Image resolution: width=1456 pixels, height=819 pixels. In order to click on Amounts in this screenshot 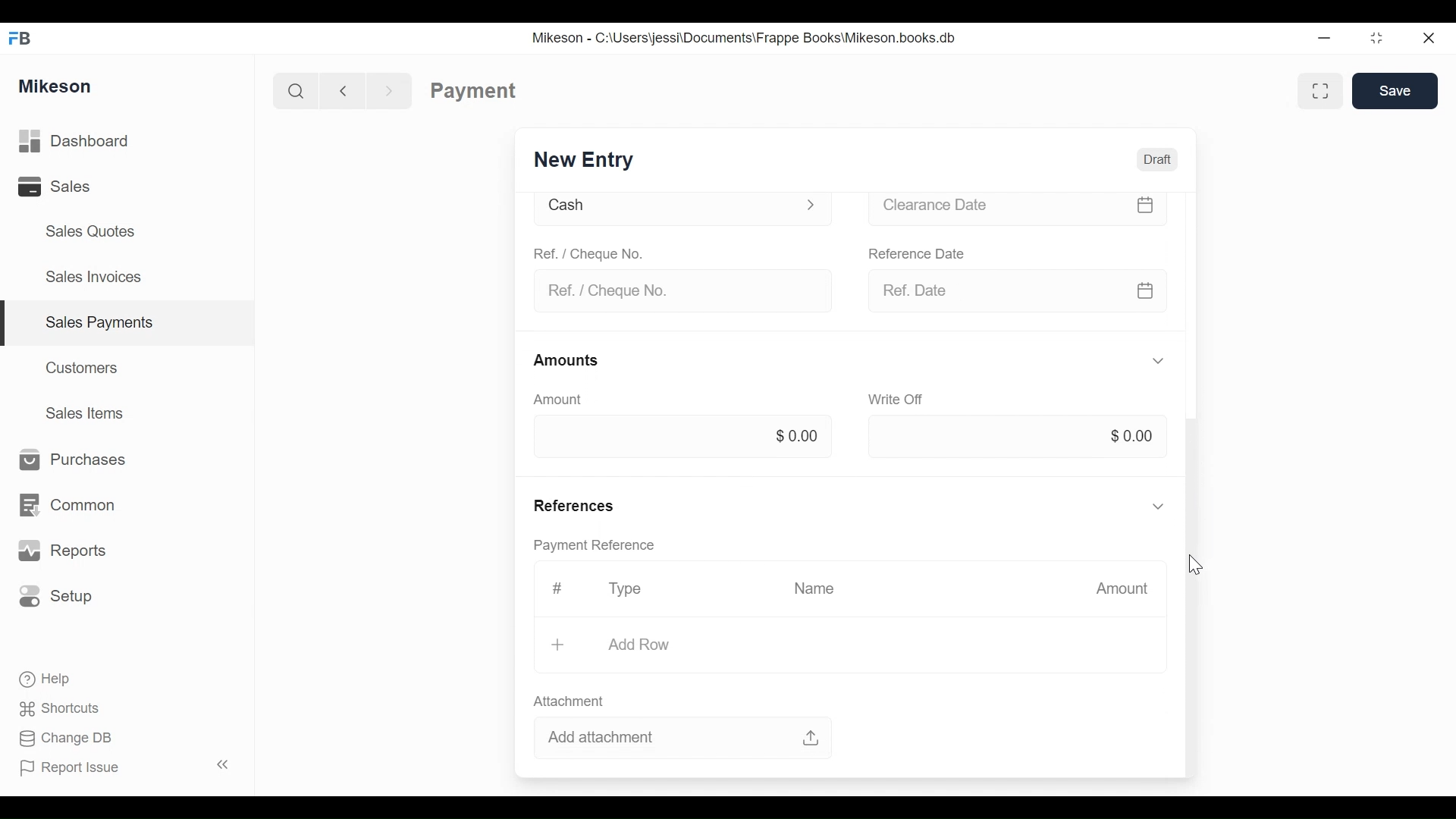, I will do `click(566, 360)`.